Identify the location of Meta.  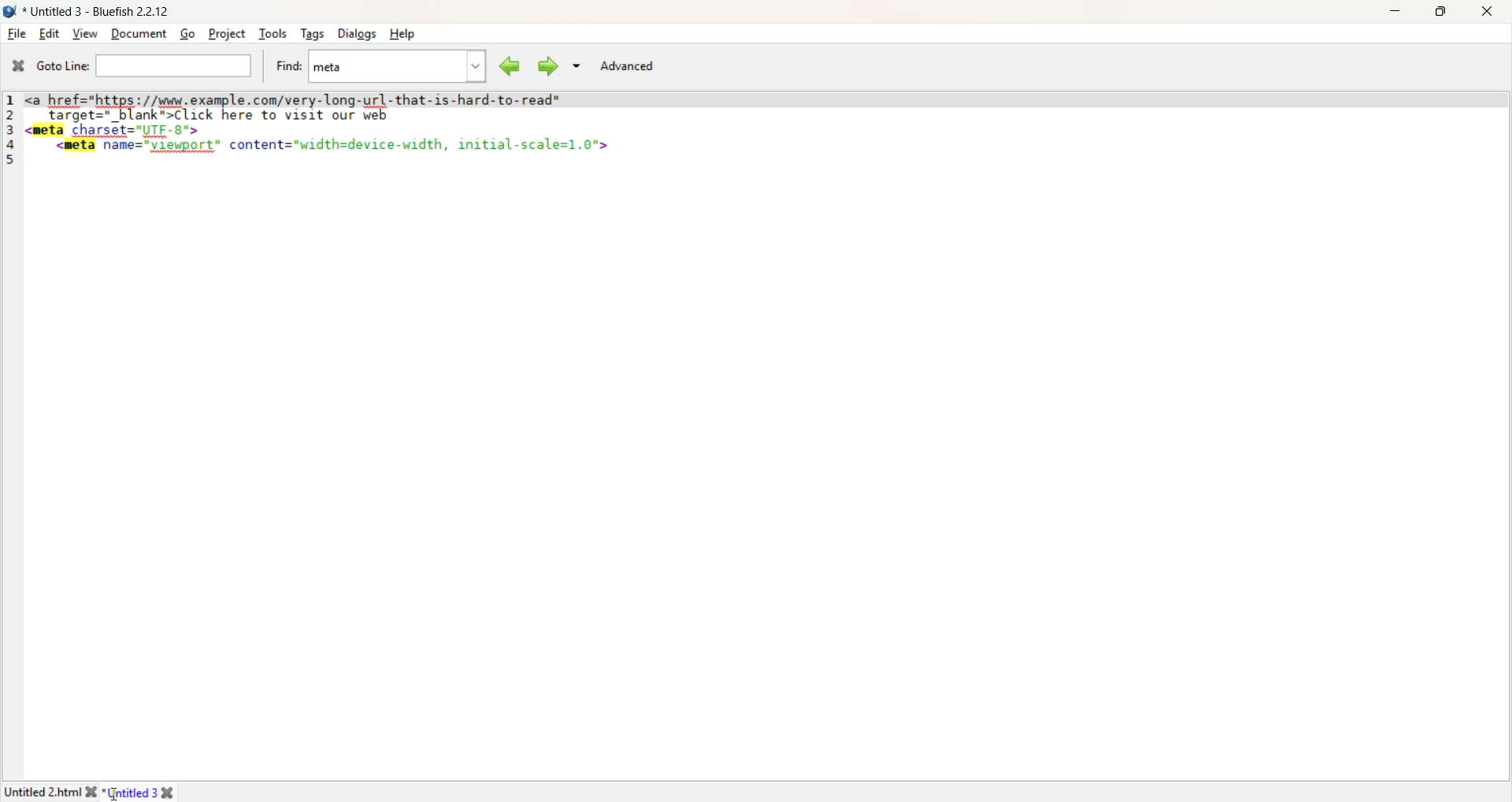
(332, 66).